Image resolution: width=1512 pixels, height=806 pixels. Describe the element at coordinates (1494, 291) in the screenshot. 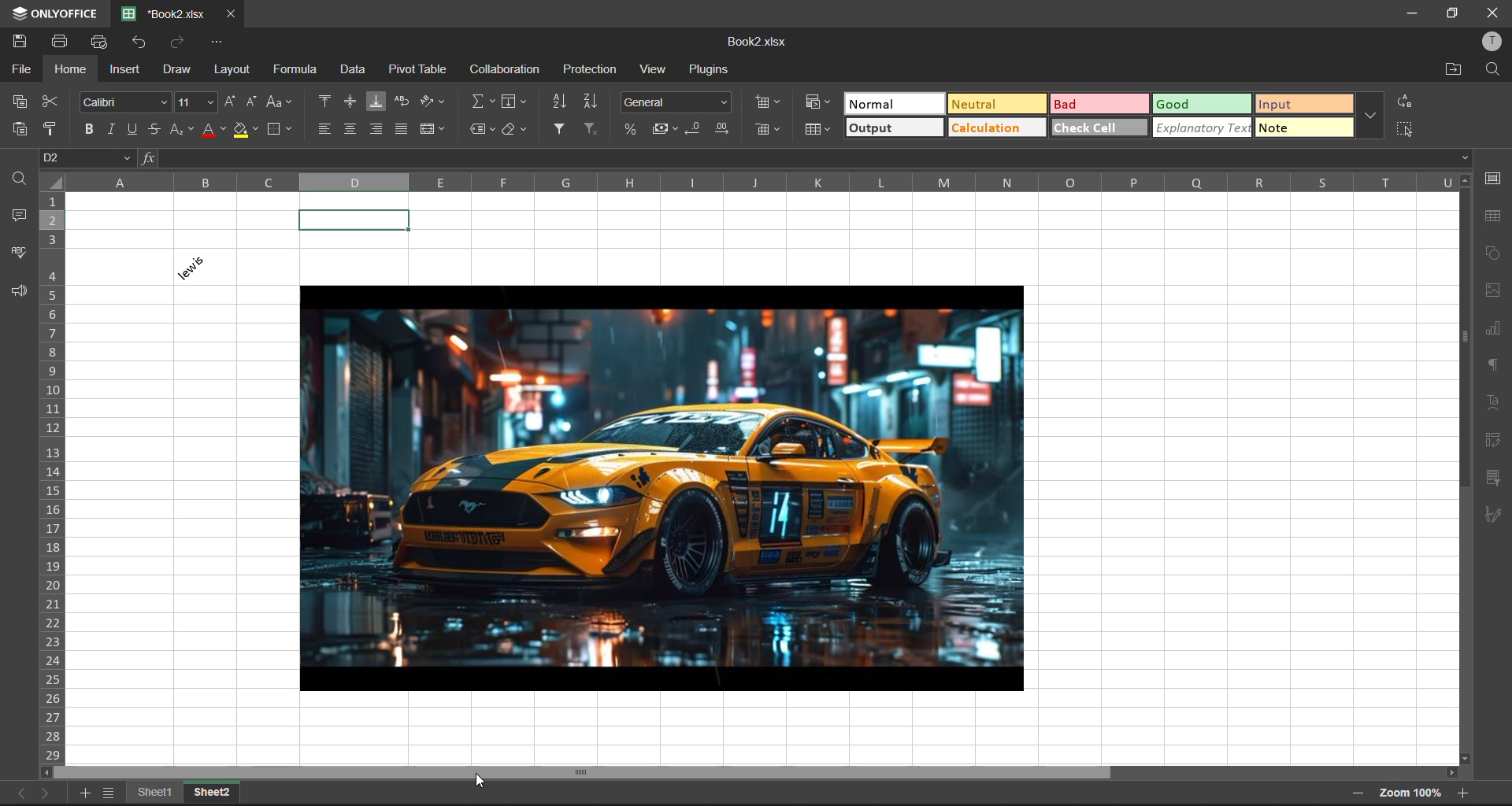

I see `images` at that location.